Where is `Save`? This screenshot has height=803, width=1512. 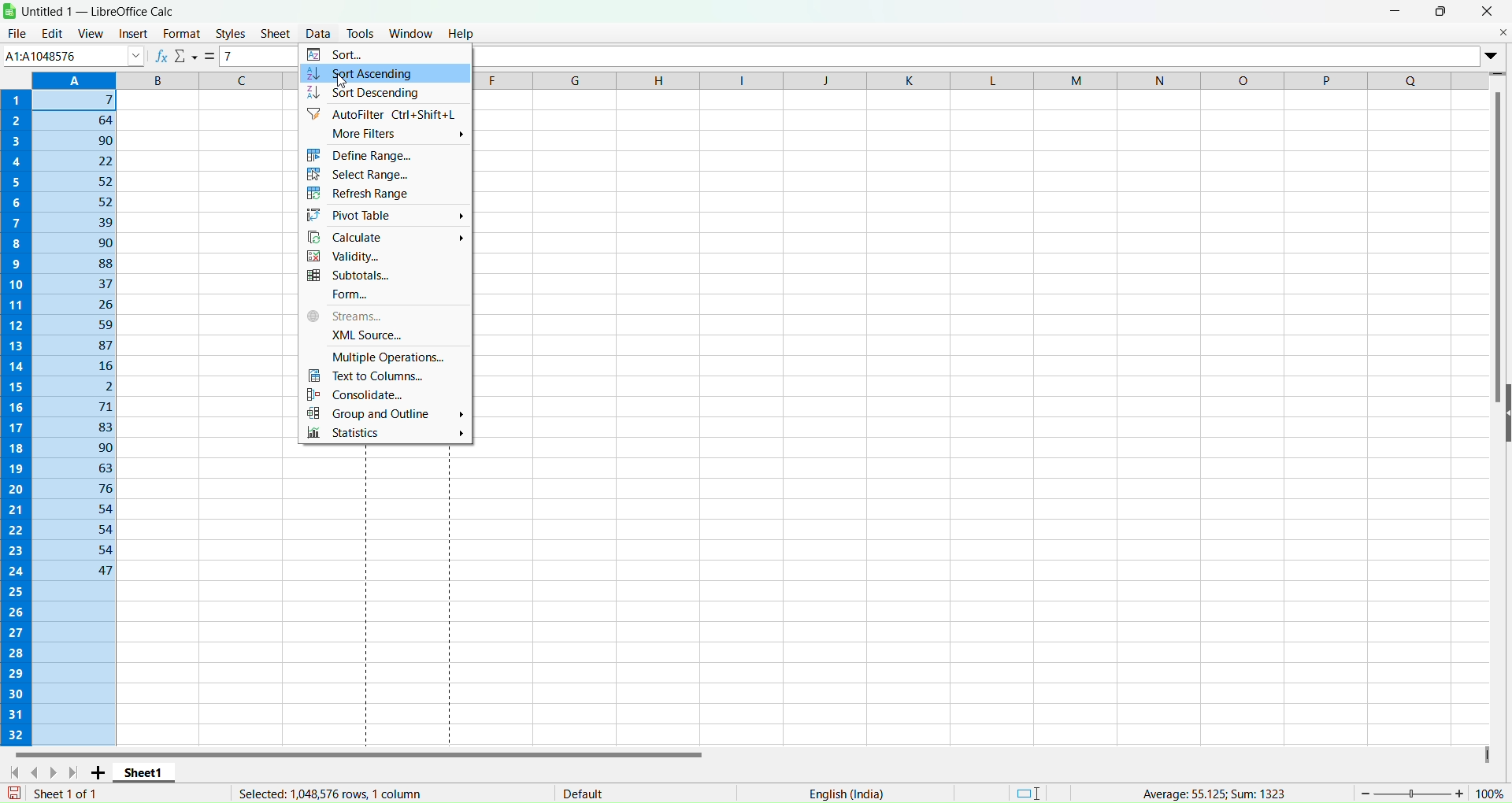 Save is located at coordinates (14, 793).